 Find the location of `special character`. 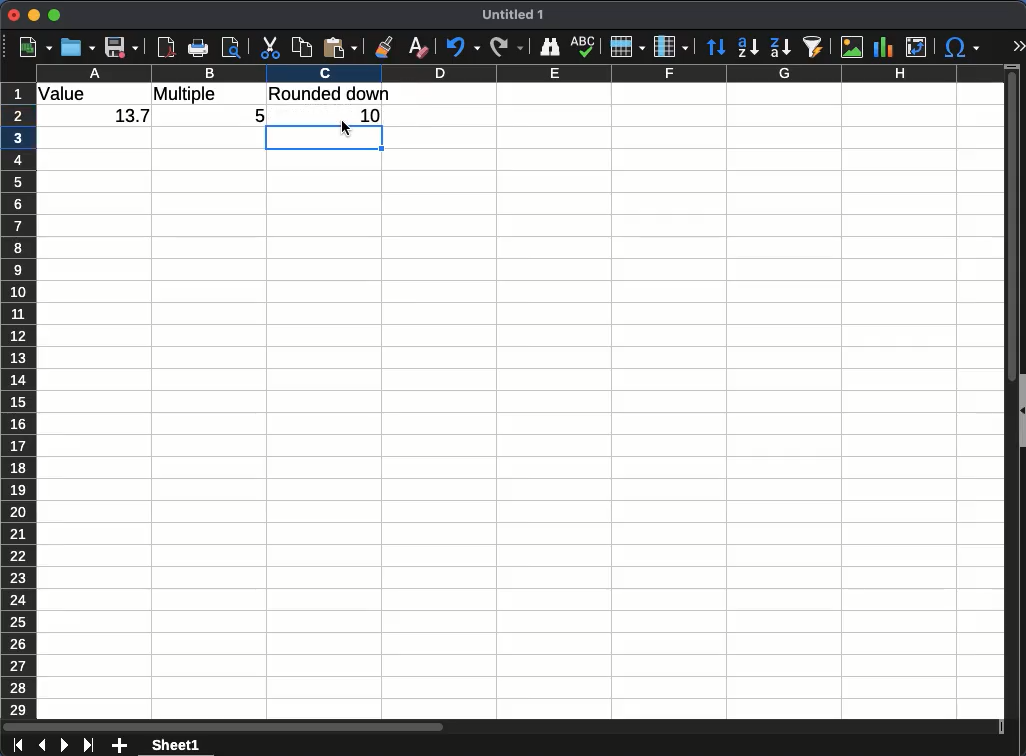

special character is located at coordinates (962, 47).